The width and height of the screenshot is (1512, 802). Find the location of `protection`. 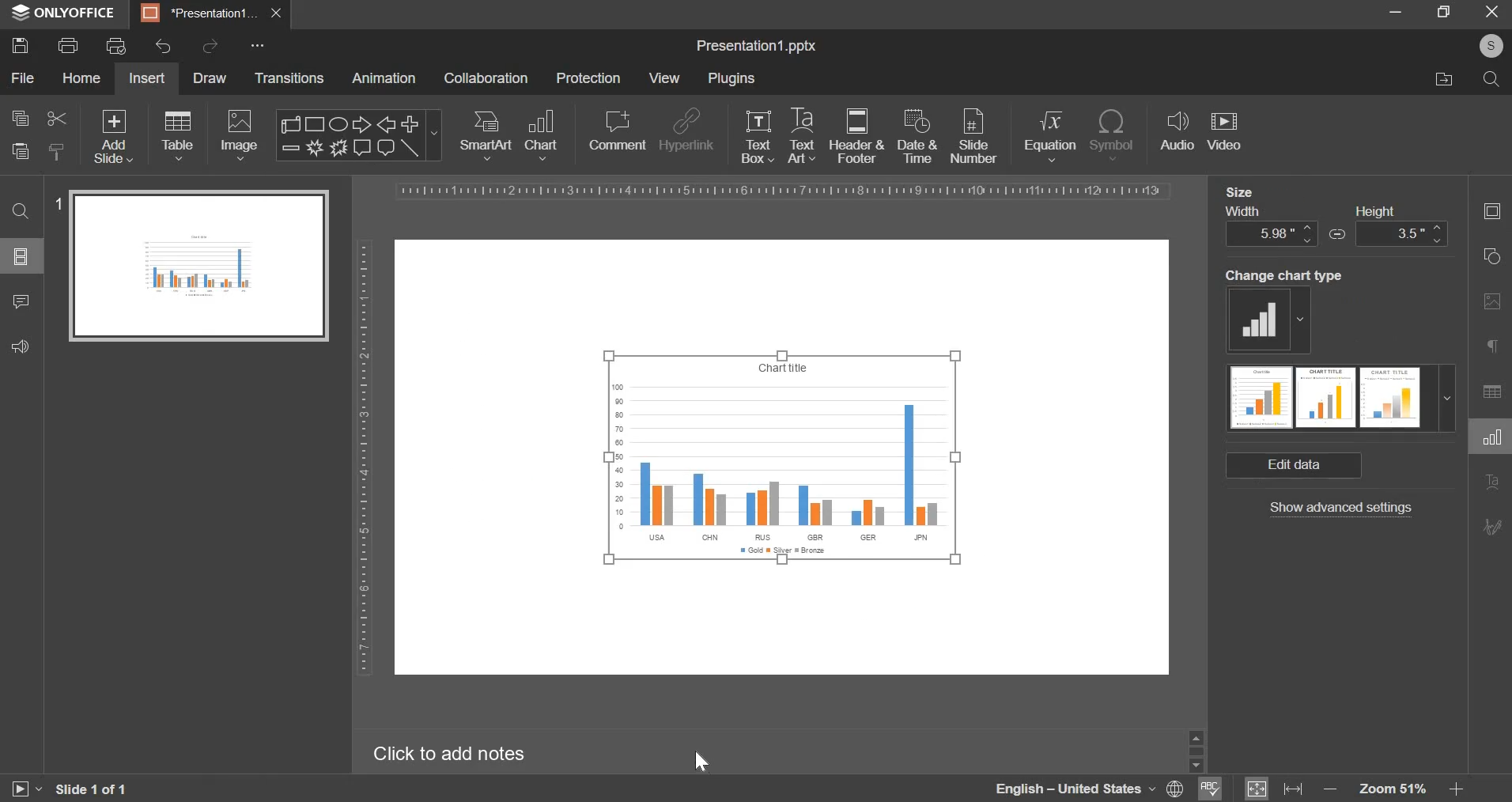

protection is located at coordinates (592, 78).